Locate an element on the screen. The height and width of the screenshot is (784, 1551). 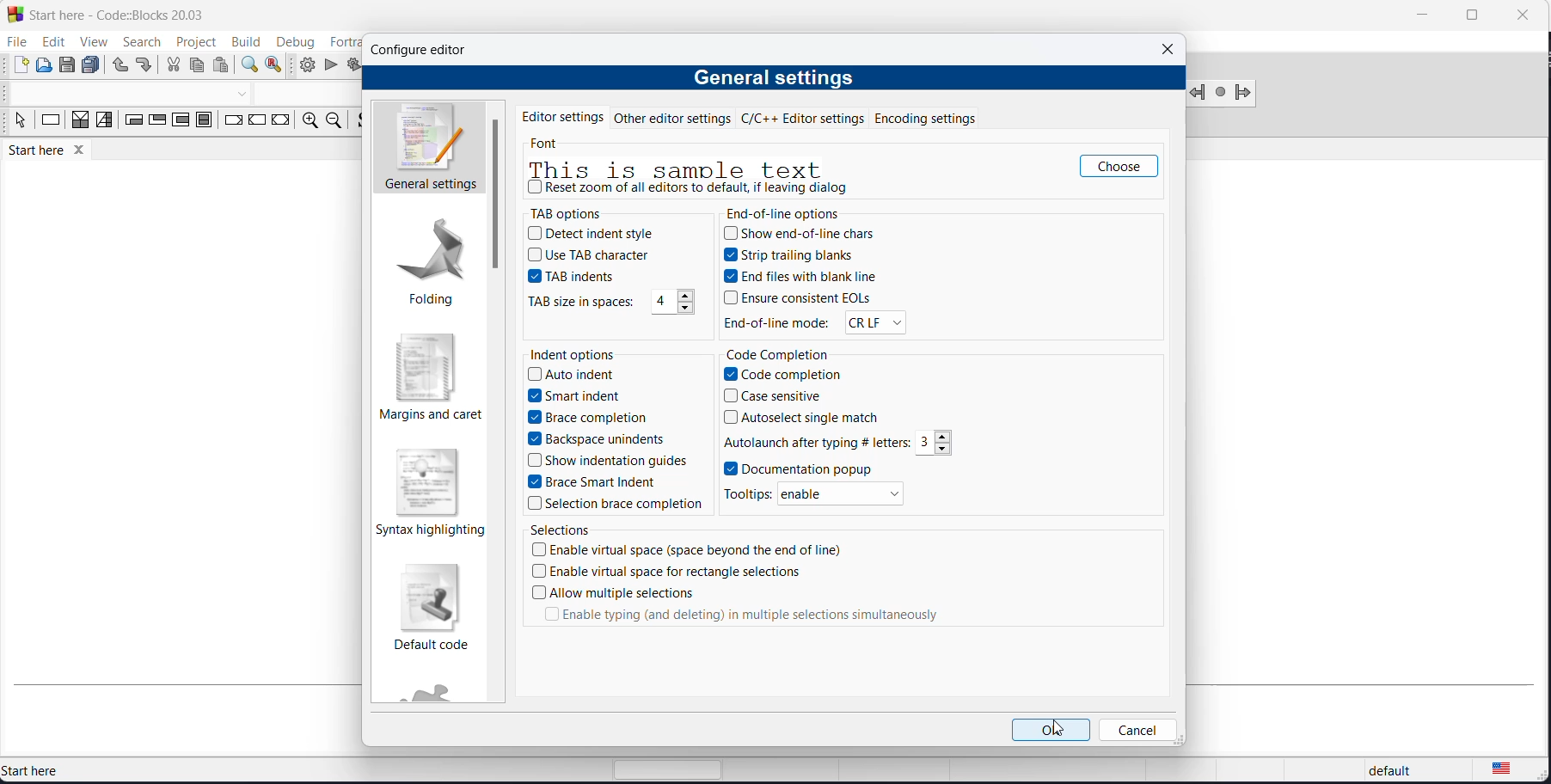
file is located at coordinates (15, 42).